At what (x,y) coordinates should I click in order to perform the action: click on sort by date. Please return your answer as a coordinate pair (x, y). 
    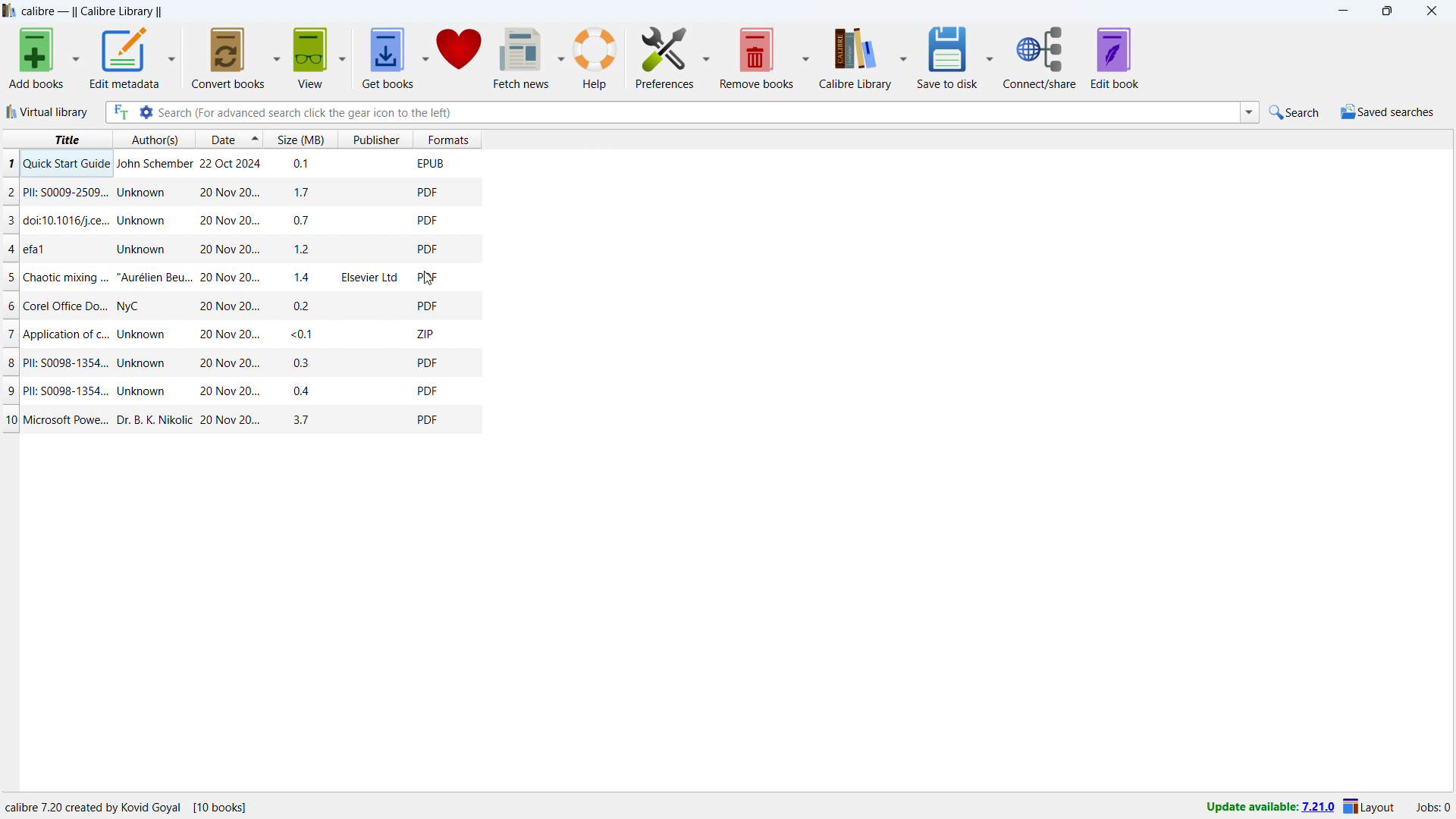
    Looking at the image, I should click on (221, 139).